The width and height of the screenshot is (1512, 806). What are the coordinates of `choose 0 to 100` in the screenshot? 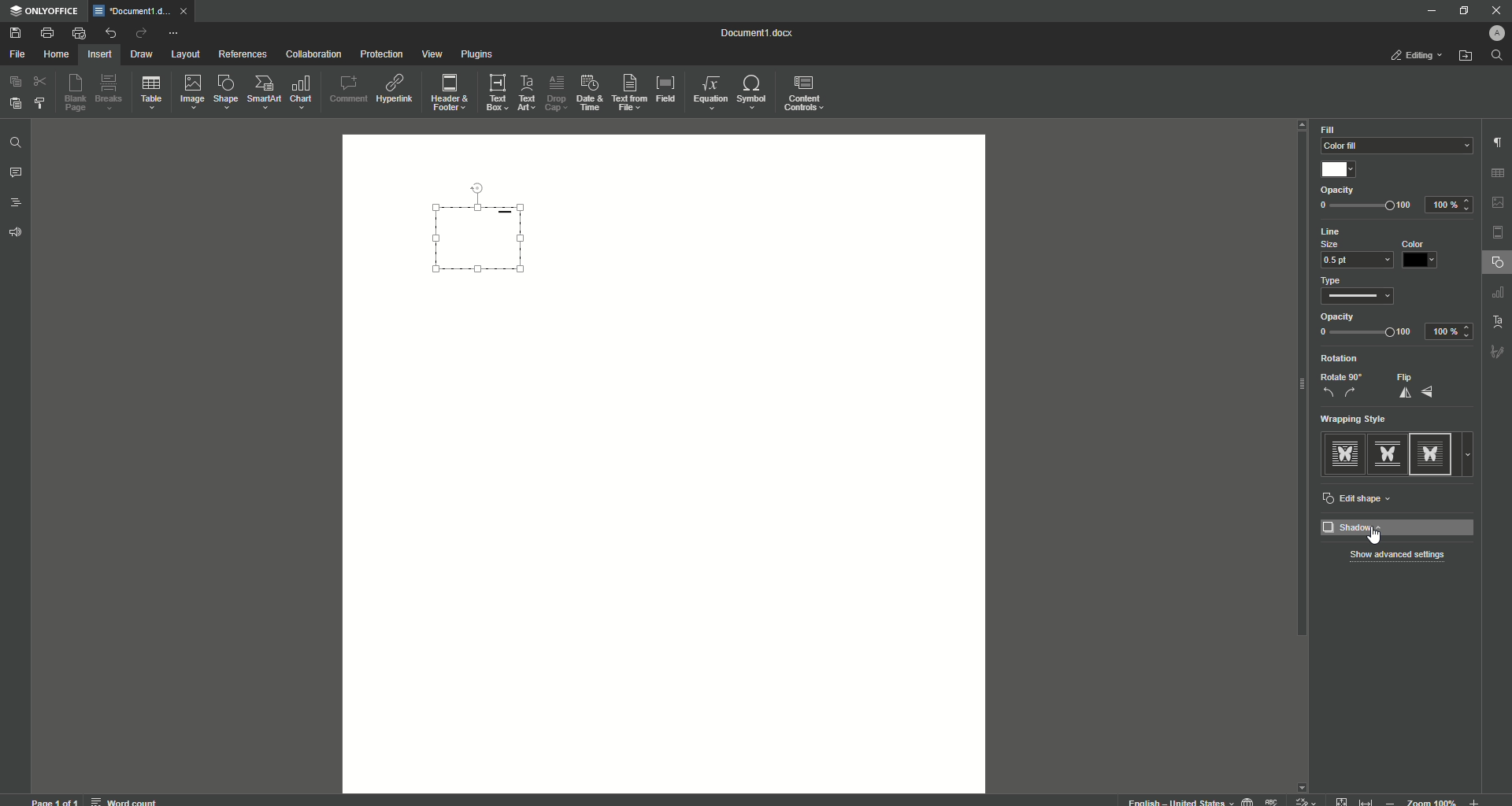 It's located at (1366, 334).